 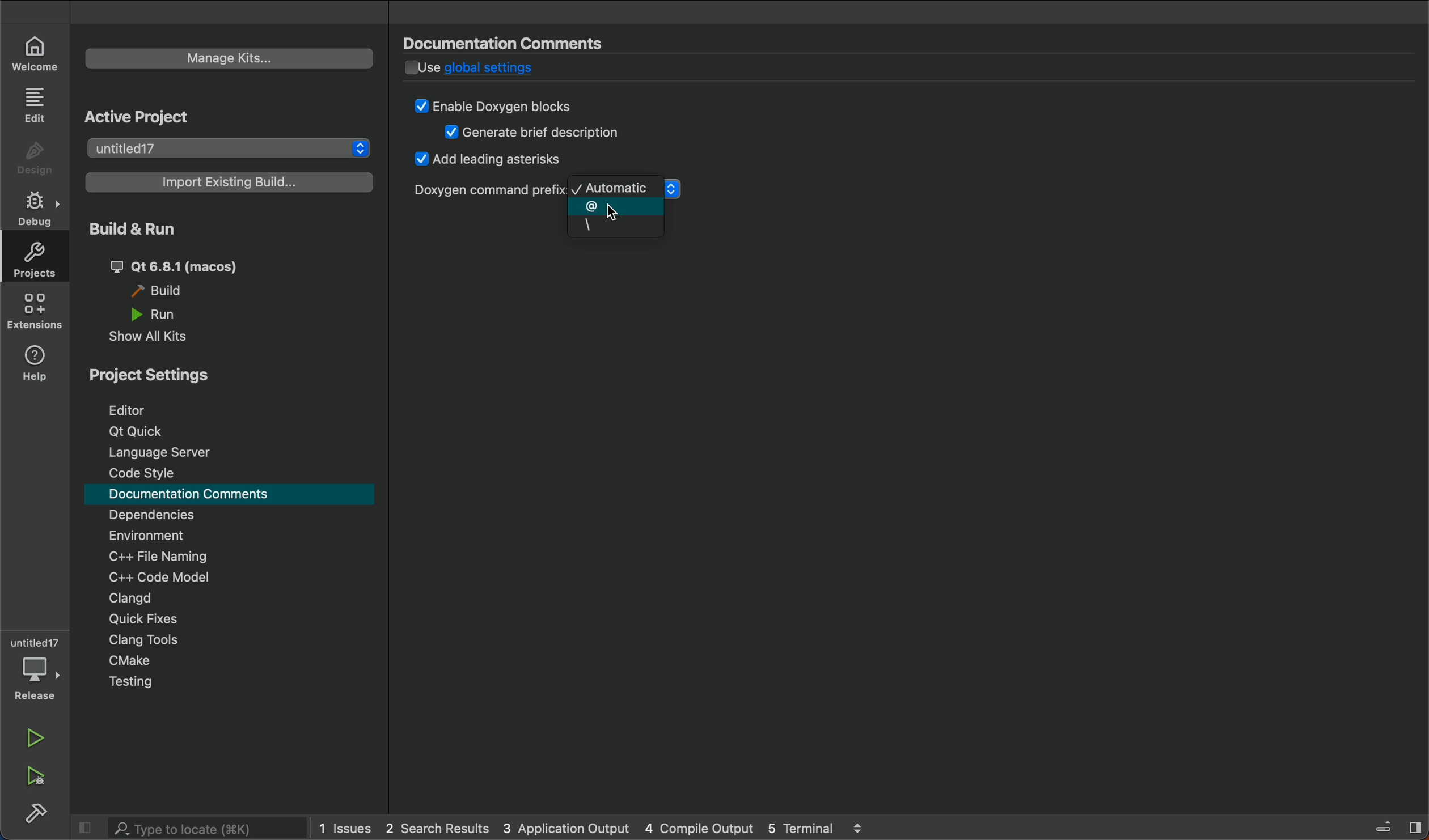 What do you see at coordinates (144, 473) in the screenshot?
I see `code style` at bounding box center [144, 473].